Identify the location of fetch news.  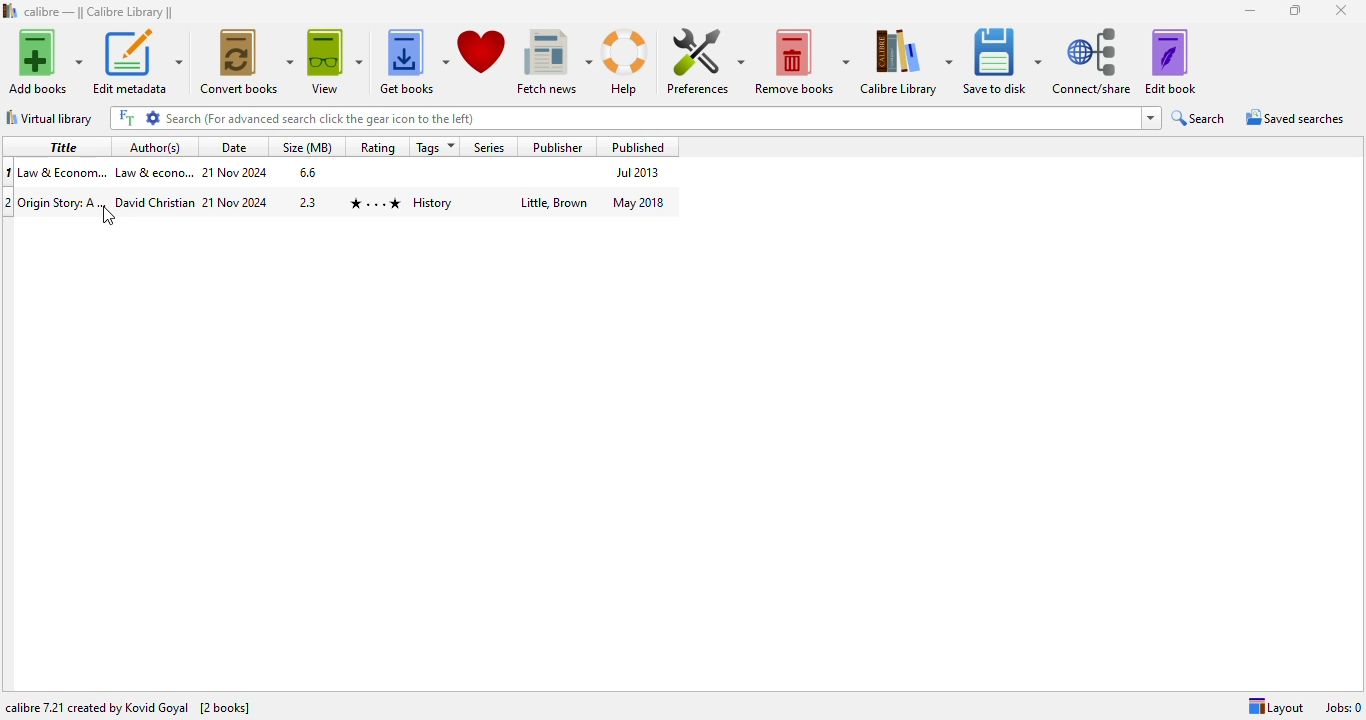
(553, 60).